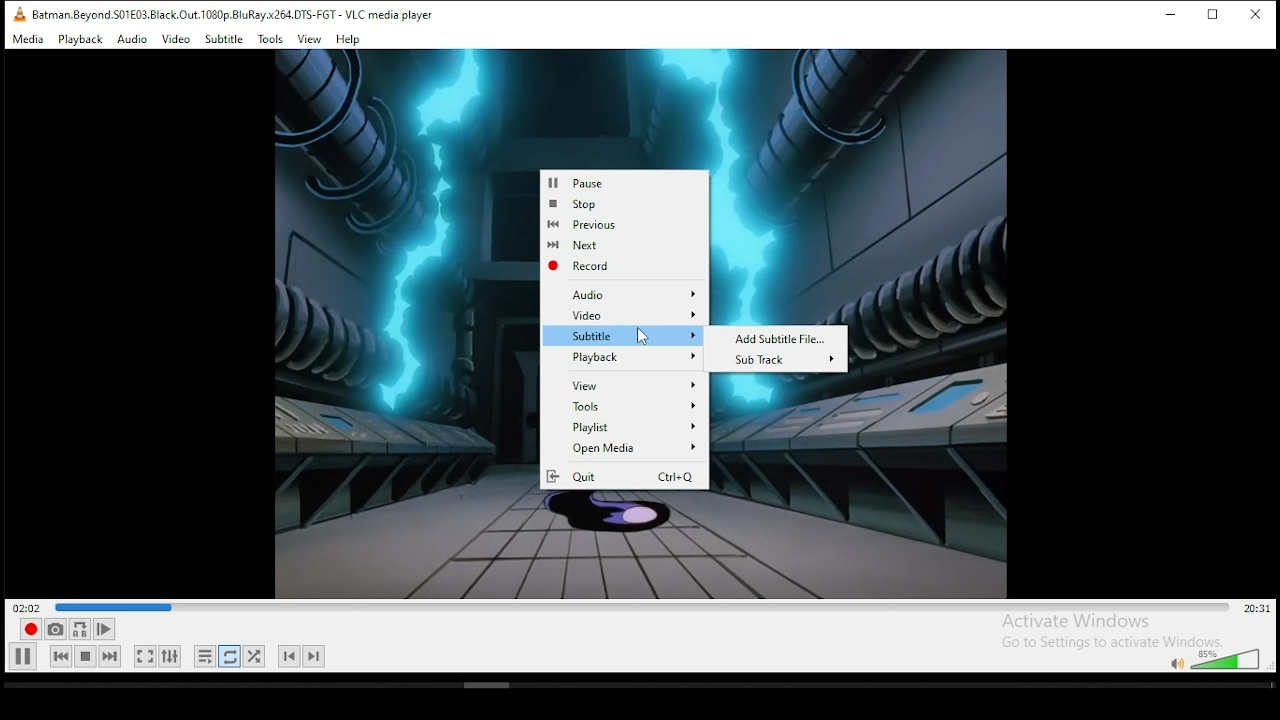 This screenshot has width=1280, height=720. What do you see at coordinates (229, 656) in the screenshot?
I see `click to toggle between loop all, loop one, and no loop` at bounding box center [229, 656].